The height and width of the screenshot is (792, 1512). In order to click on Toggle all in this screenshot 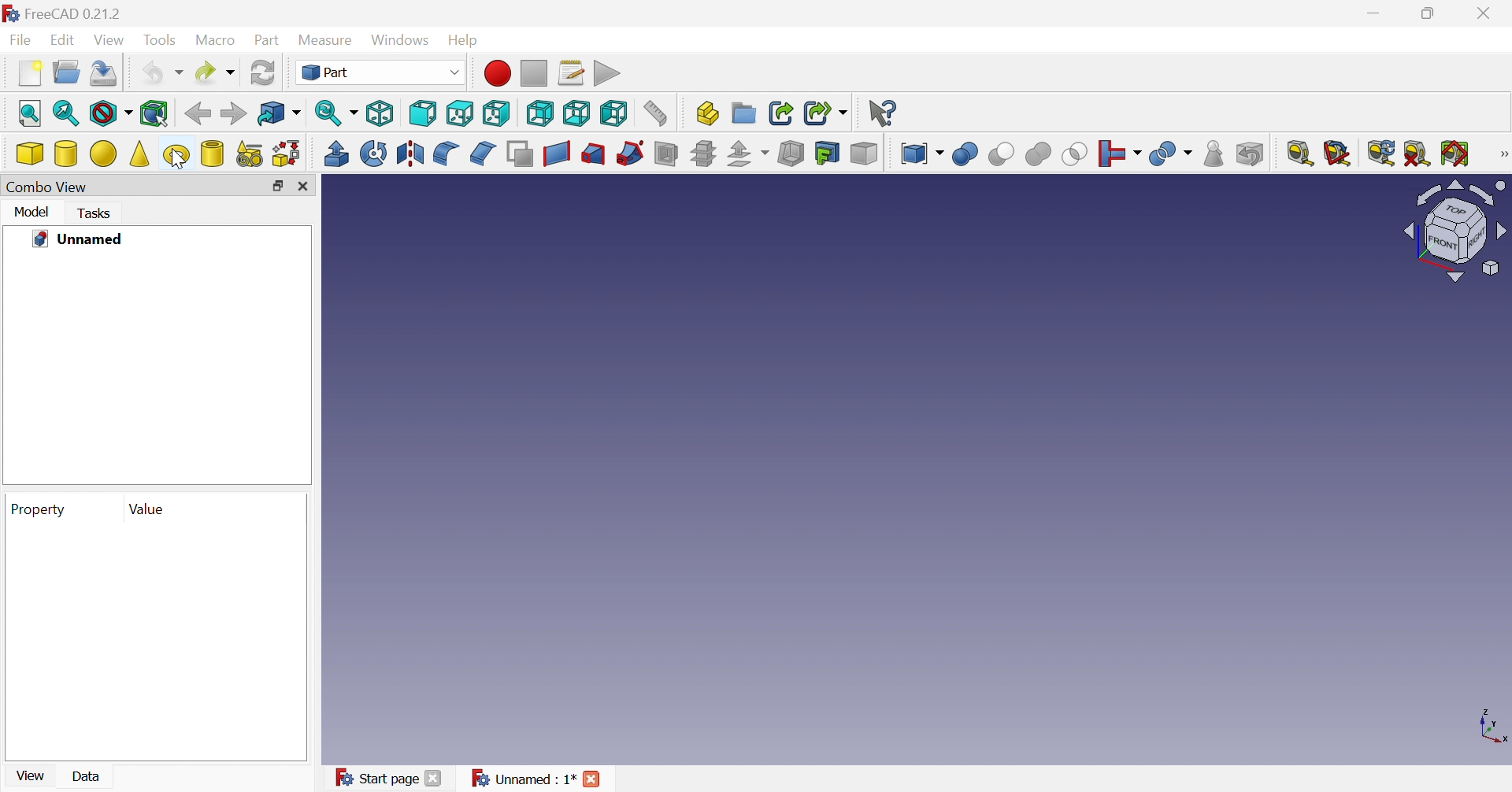, I will do `click(1455, 152)`.